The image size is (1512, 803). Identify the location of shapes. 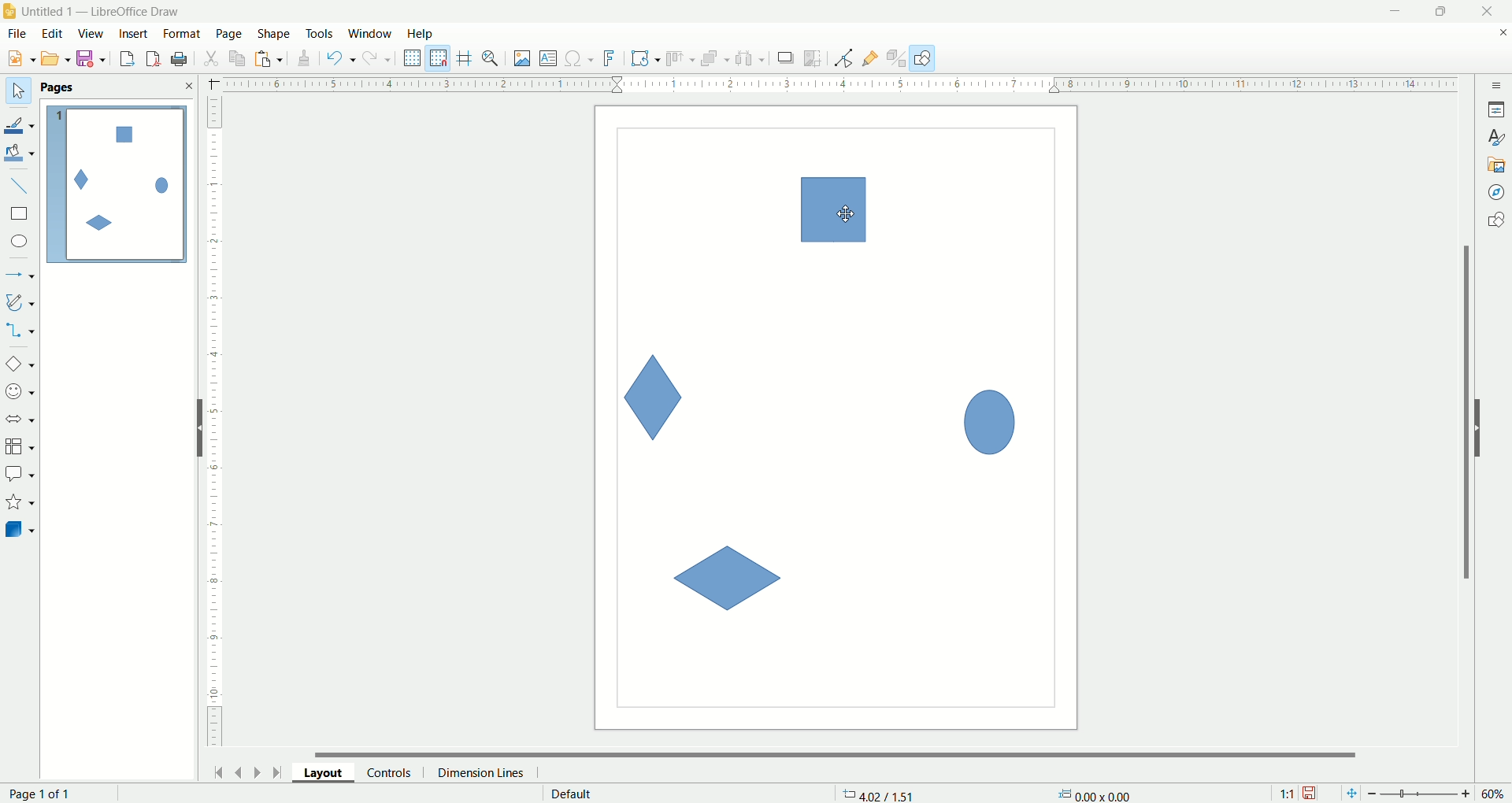
(1496, 223).